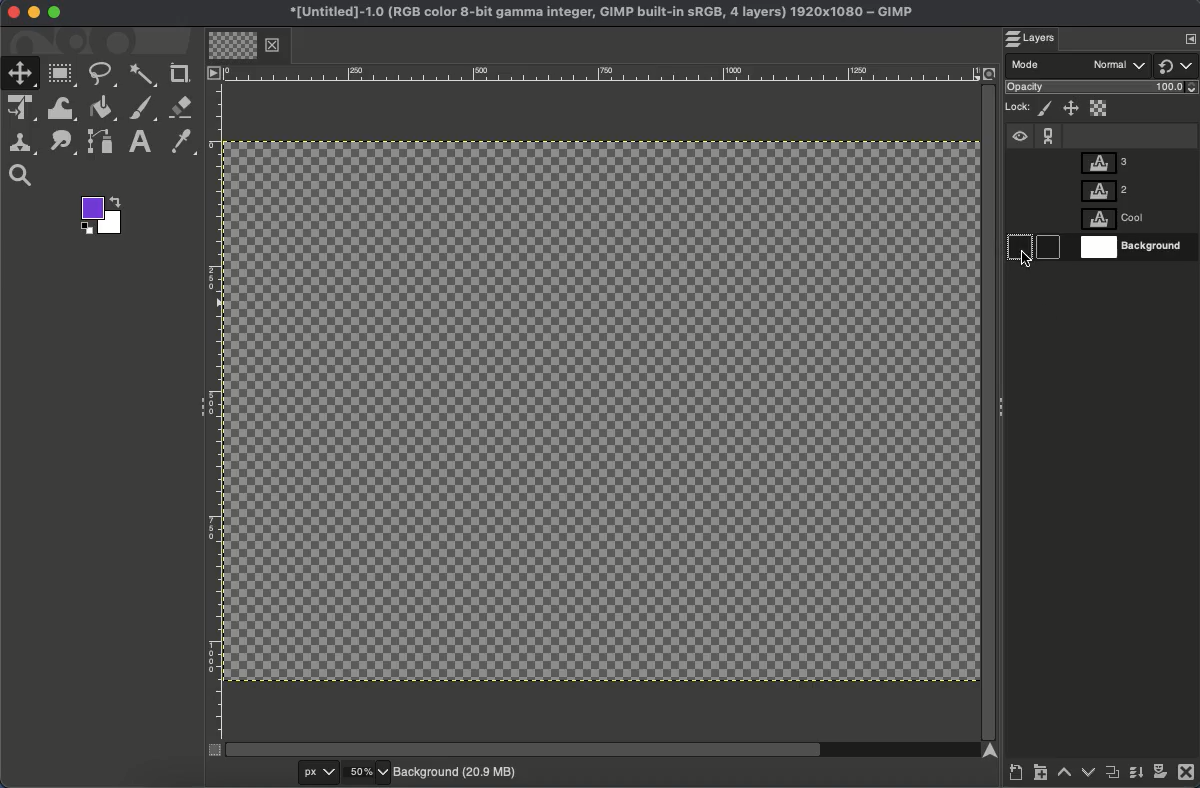 The height and width of the screenshot is (788, 1200). What do you see at coordinates (61, 143) in the screenshot?
I see `Smudge` at bounding box center [61, 143].